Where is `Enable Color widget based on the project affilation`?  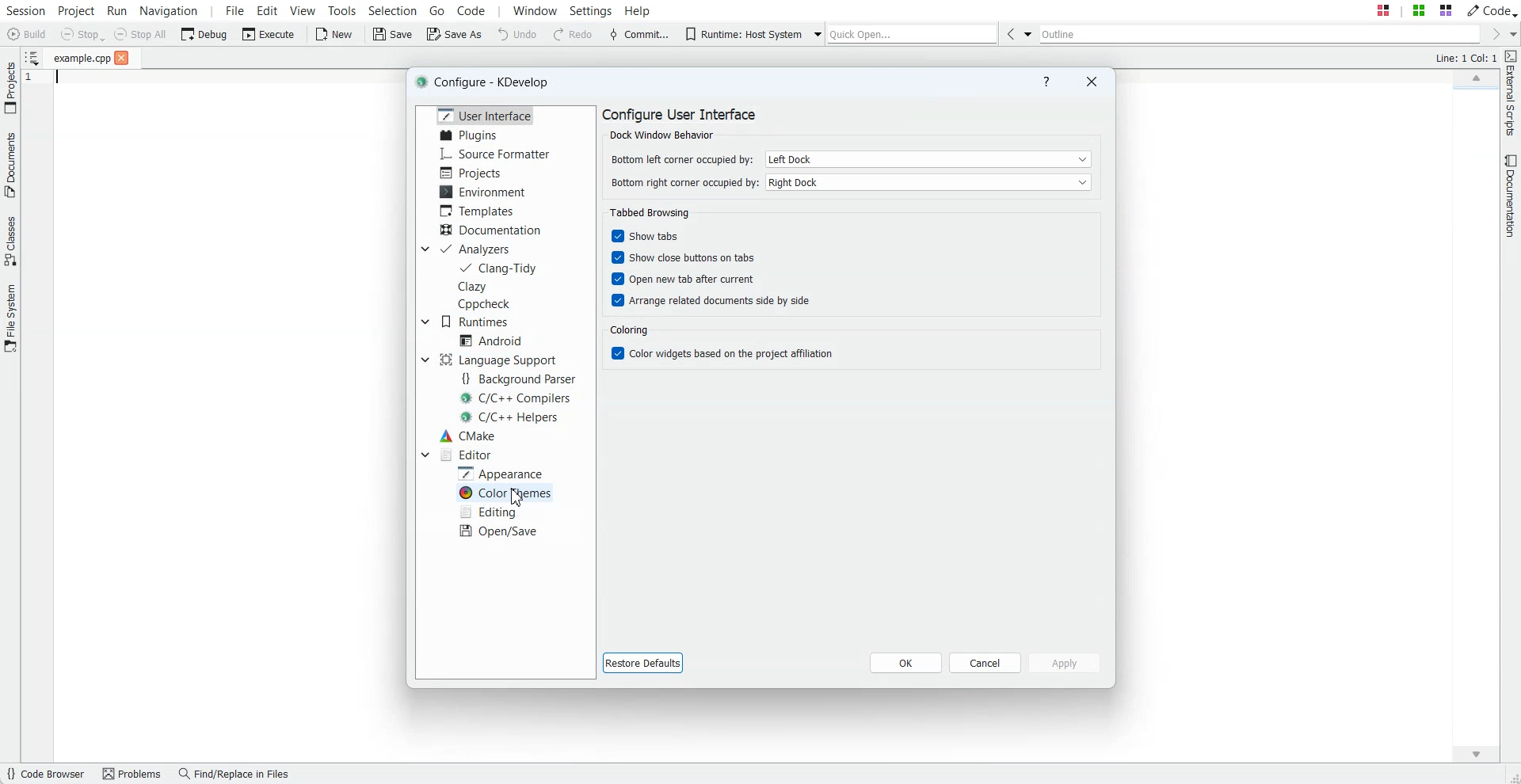 Enable Color widget based on the project affilation is located at coordinates (719, 354).